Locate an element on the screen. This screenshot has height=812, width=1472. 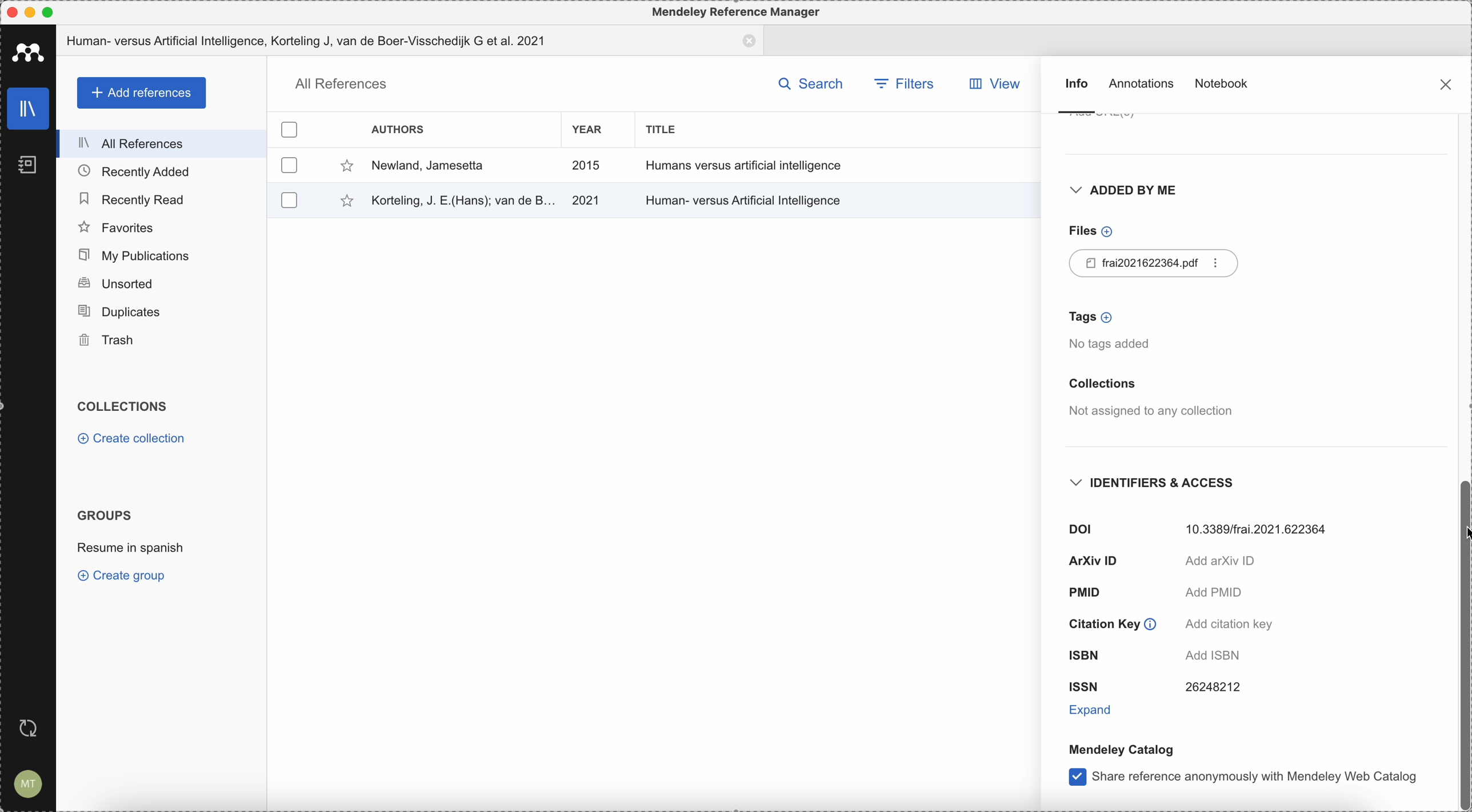
cursor is located at coordinates (1460, 538).